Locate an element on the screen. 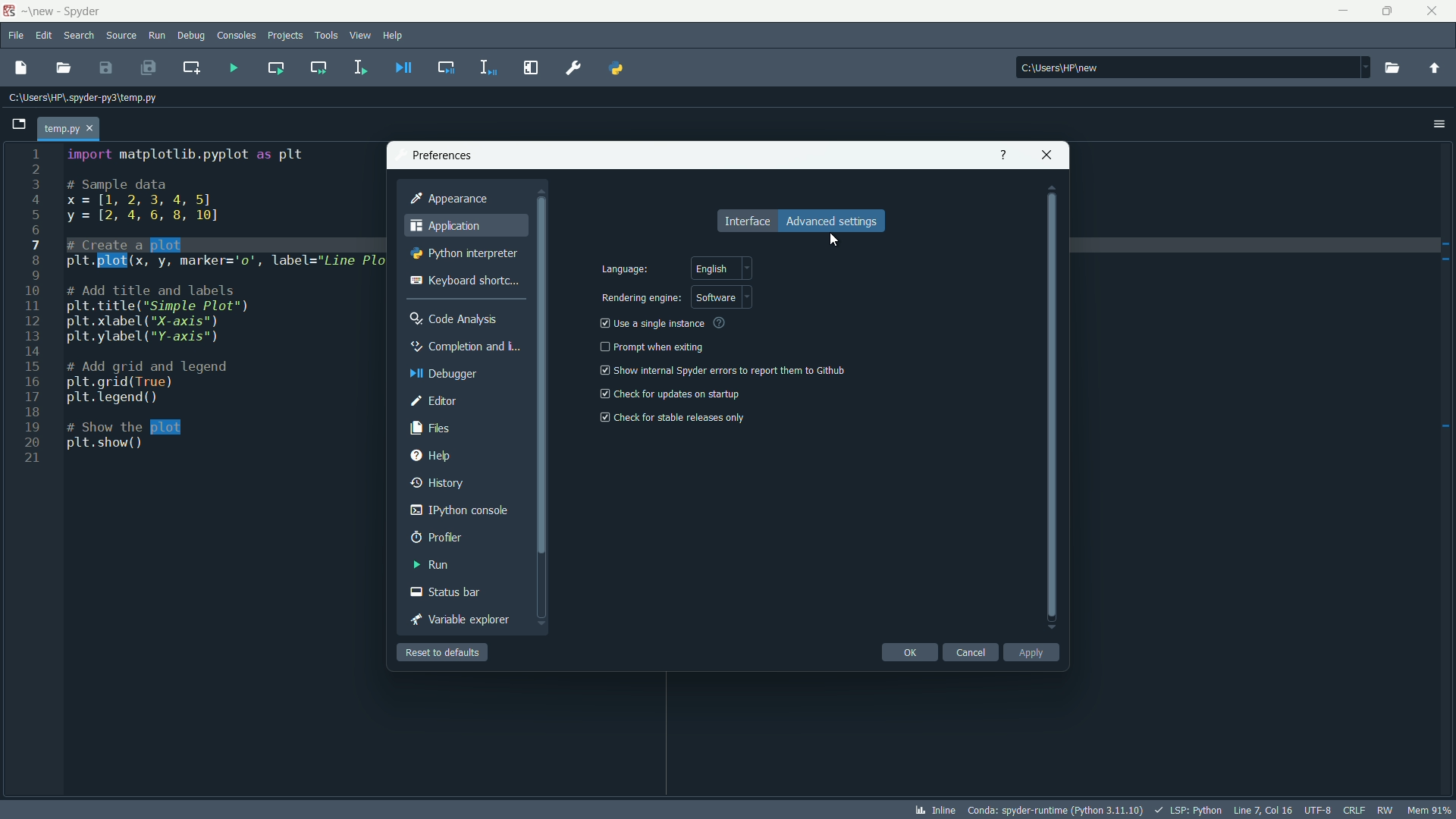 Image resolution: width=1456 pixels, height=819 pixels. debugger is located at coordinates (444, 374).